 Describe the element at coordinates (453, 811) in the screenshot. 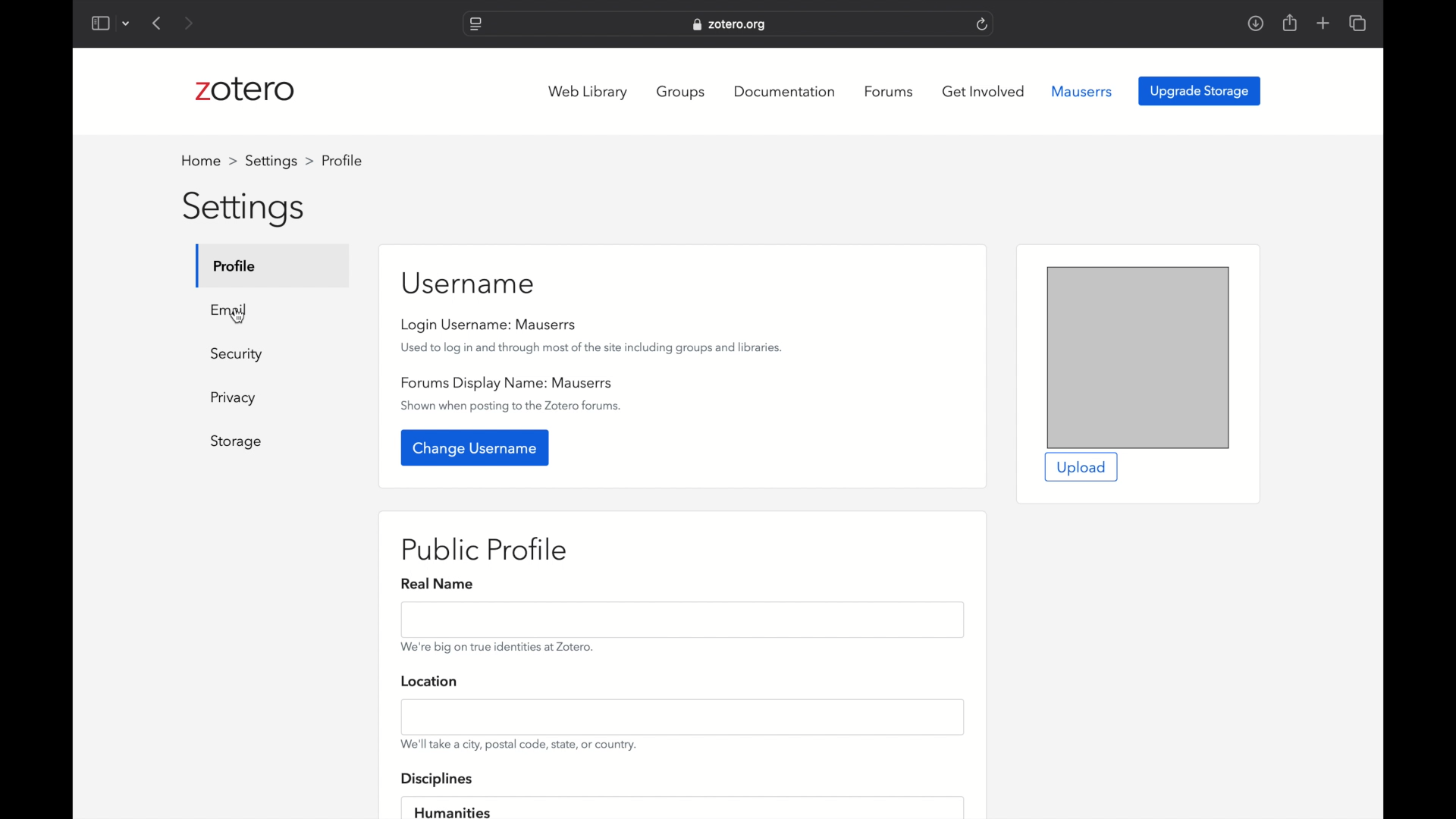

I see `humanities` at that location.